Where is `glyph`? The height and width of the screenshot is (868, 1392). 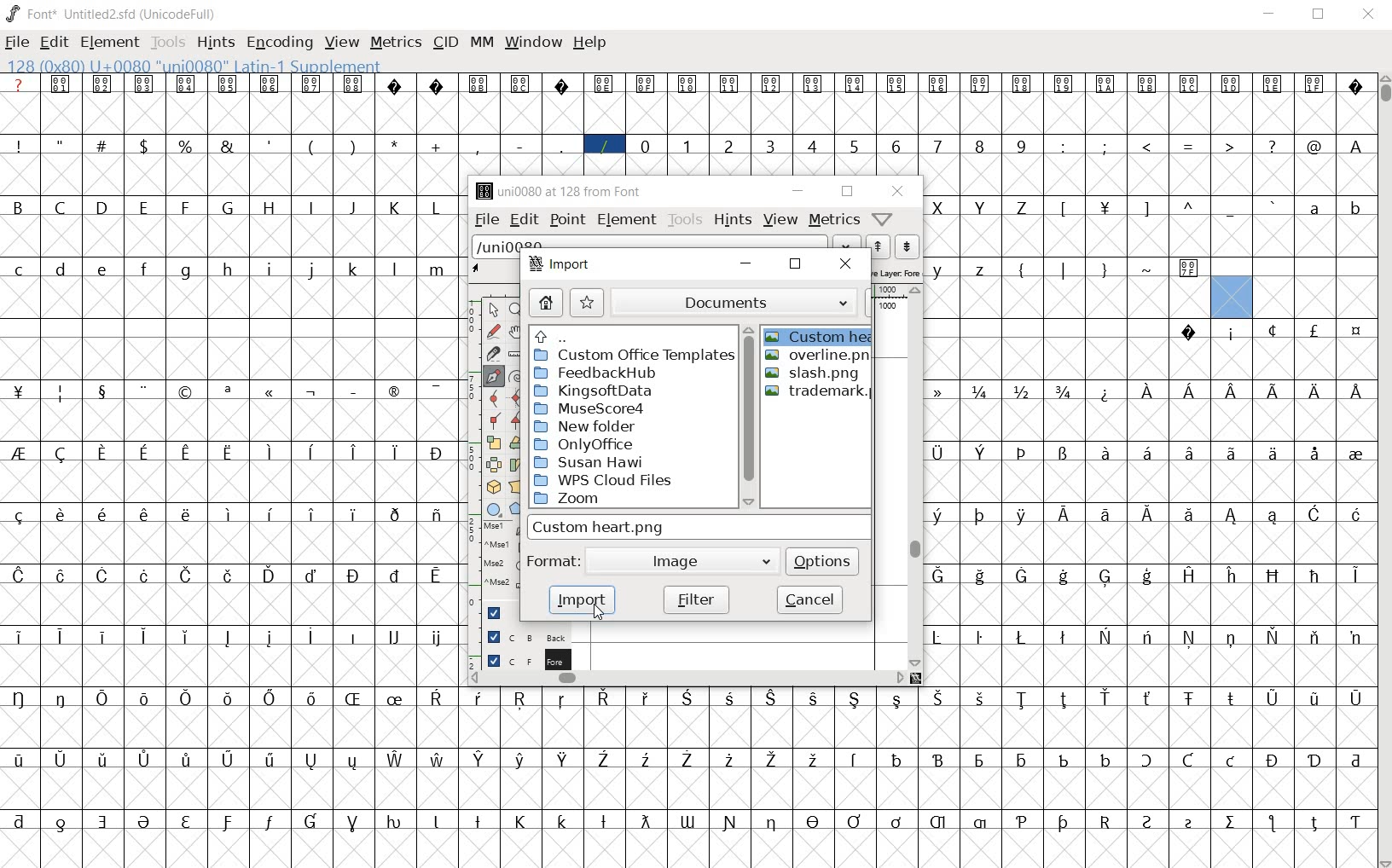
glyph is located at coordinates (61, 576).